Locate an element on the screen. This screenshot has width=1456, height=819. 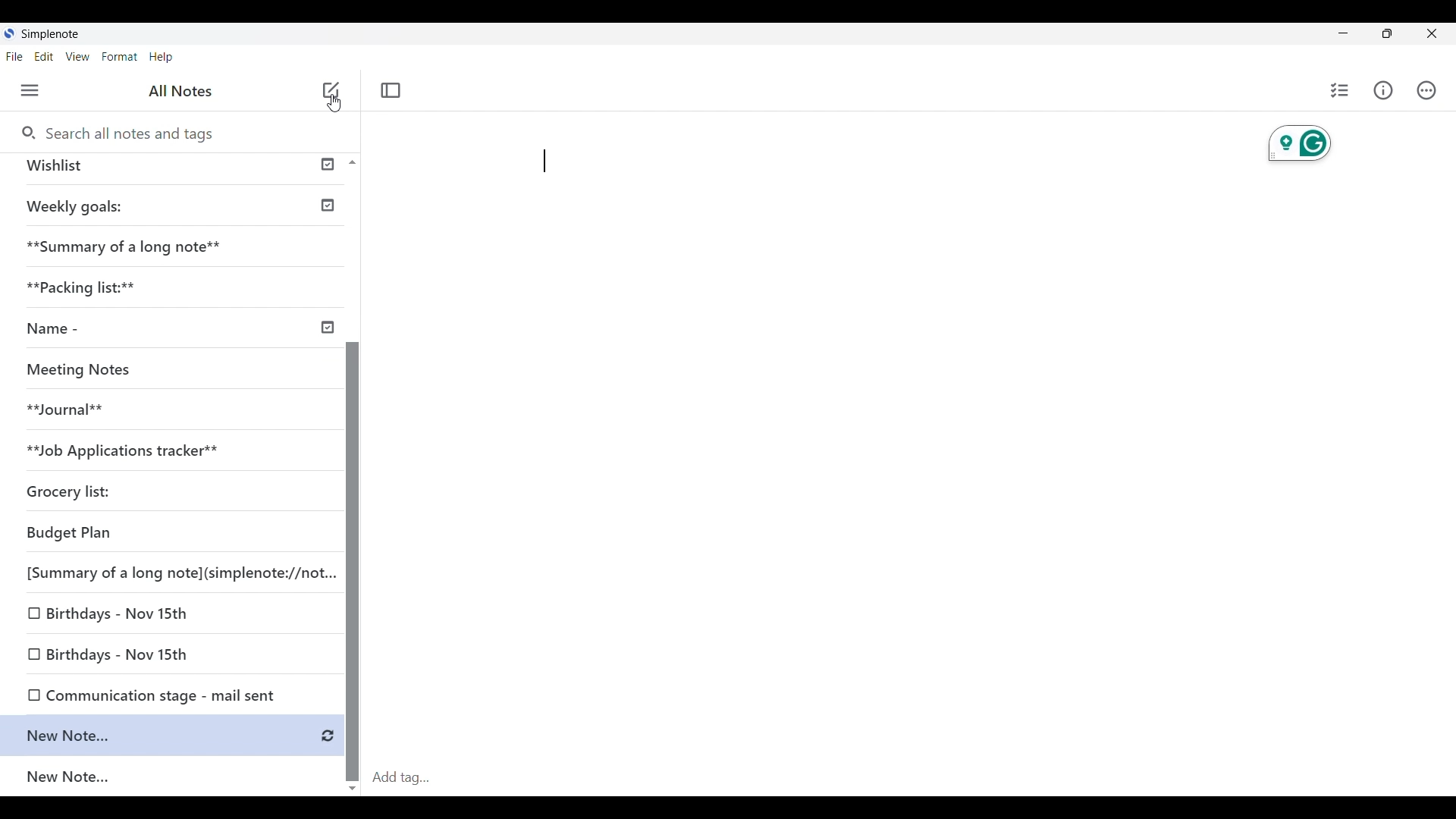
Actions is located at coordinates (1426, 91).